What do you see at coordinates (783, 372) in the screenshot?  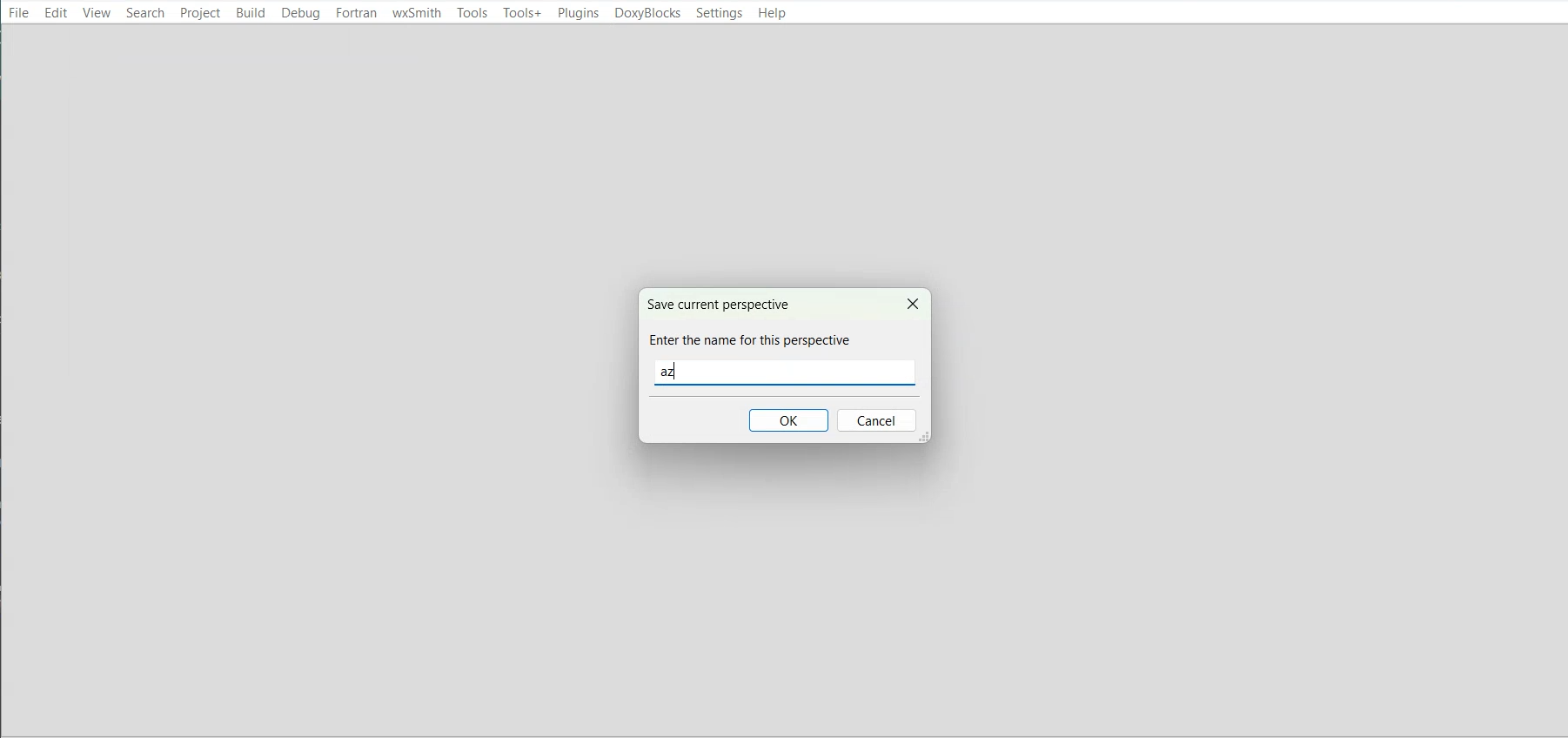 I see `Enter name for theme file` at bounding box center [783, 372].